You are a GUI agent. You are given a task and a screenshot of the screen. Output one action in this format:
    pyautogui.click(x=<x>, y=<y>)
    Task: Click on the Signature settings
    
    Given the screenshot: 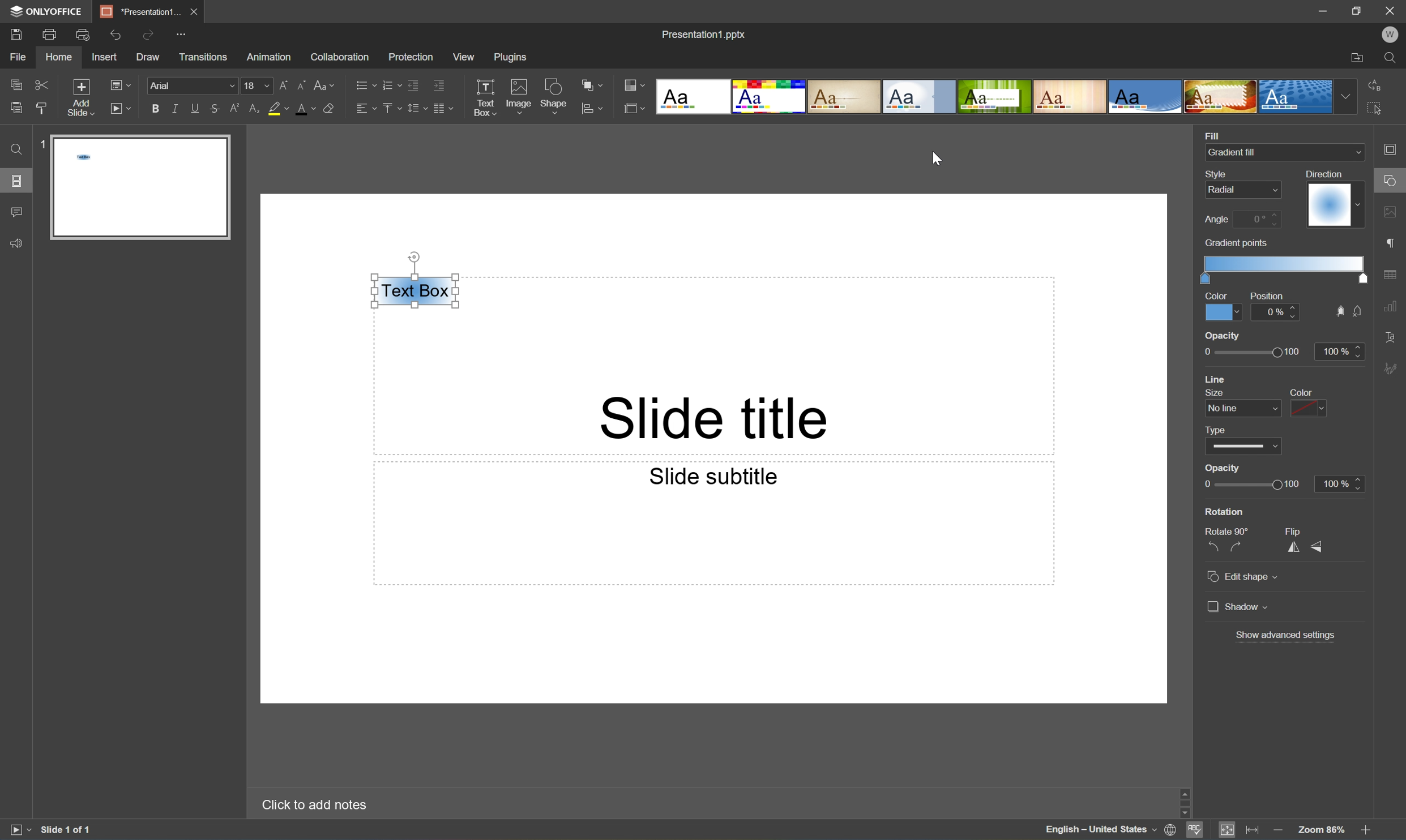 What is the action you would take?
    pyautogui.click(x=1394, y=367)
    